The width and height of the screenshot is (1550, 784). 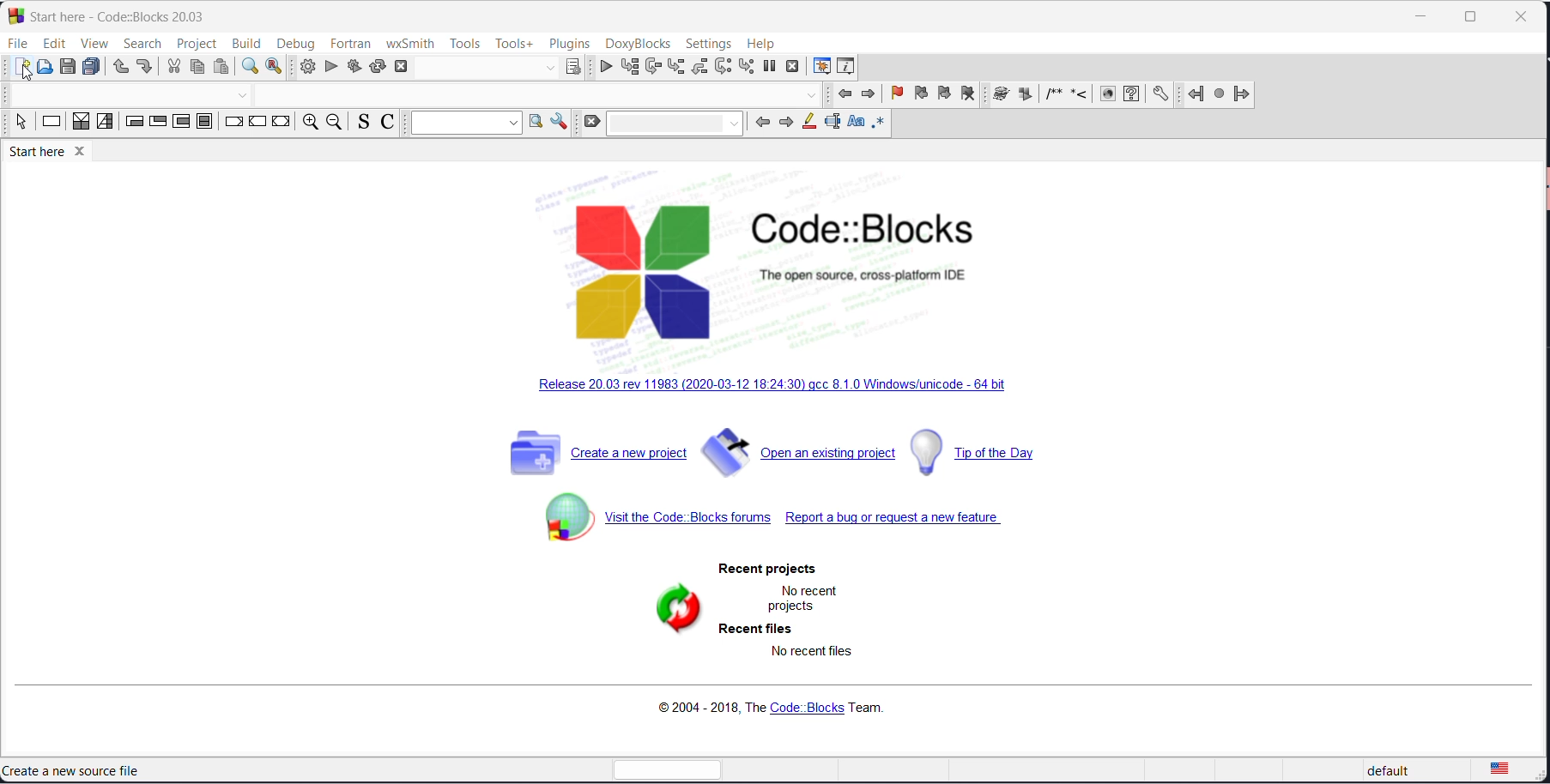 I want to click on target dialog, so click(x=577, y=69).